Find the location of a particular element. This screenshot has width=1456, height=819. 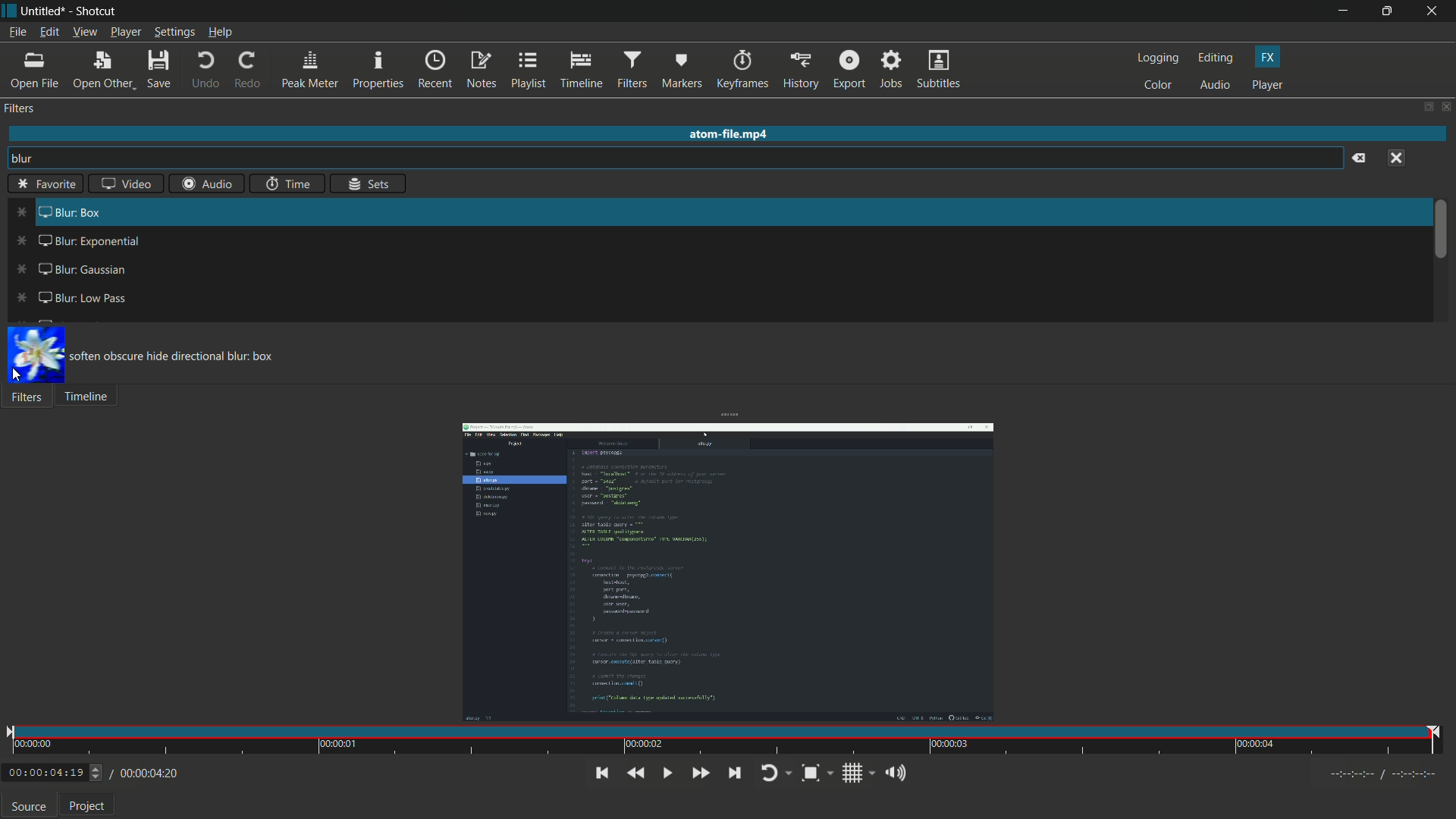

toggle zoom is located at coordinates (817, 774).